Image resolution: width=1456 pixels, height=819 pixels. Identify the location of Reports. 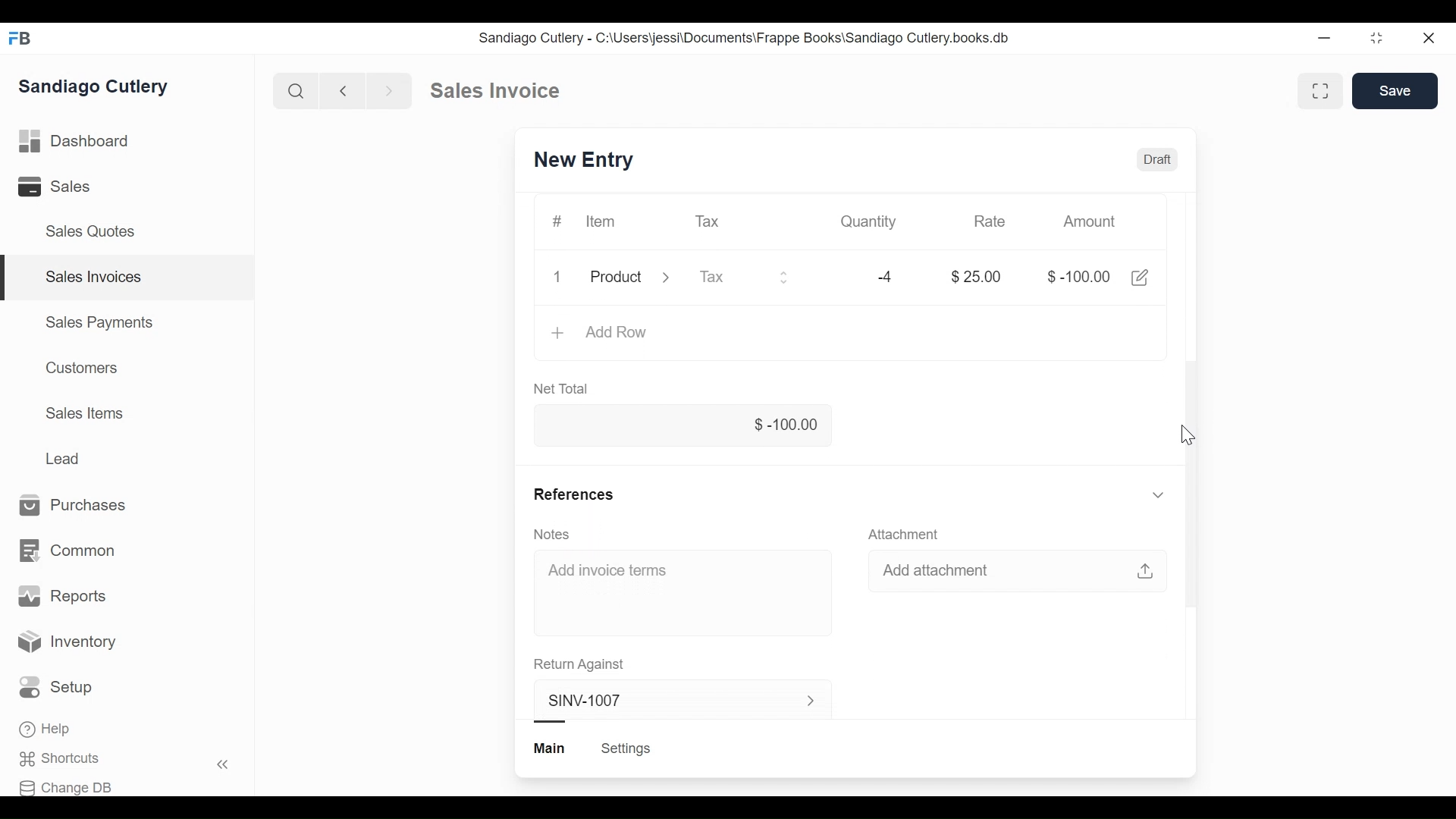
(60, 595).